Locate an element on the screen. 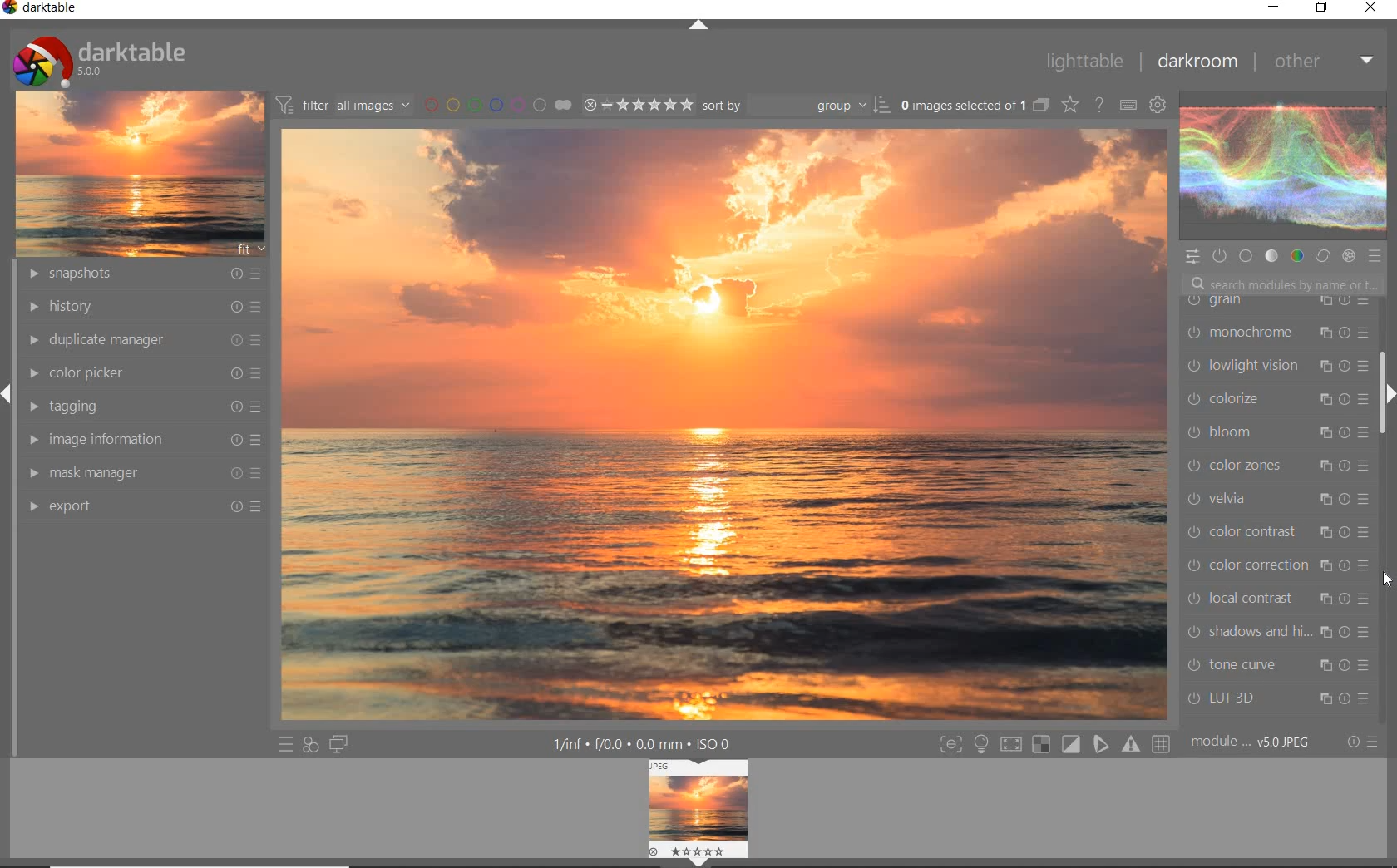  PRESET is located at coordinates (1378, 260).